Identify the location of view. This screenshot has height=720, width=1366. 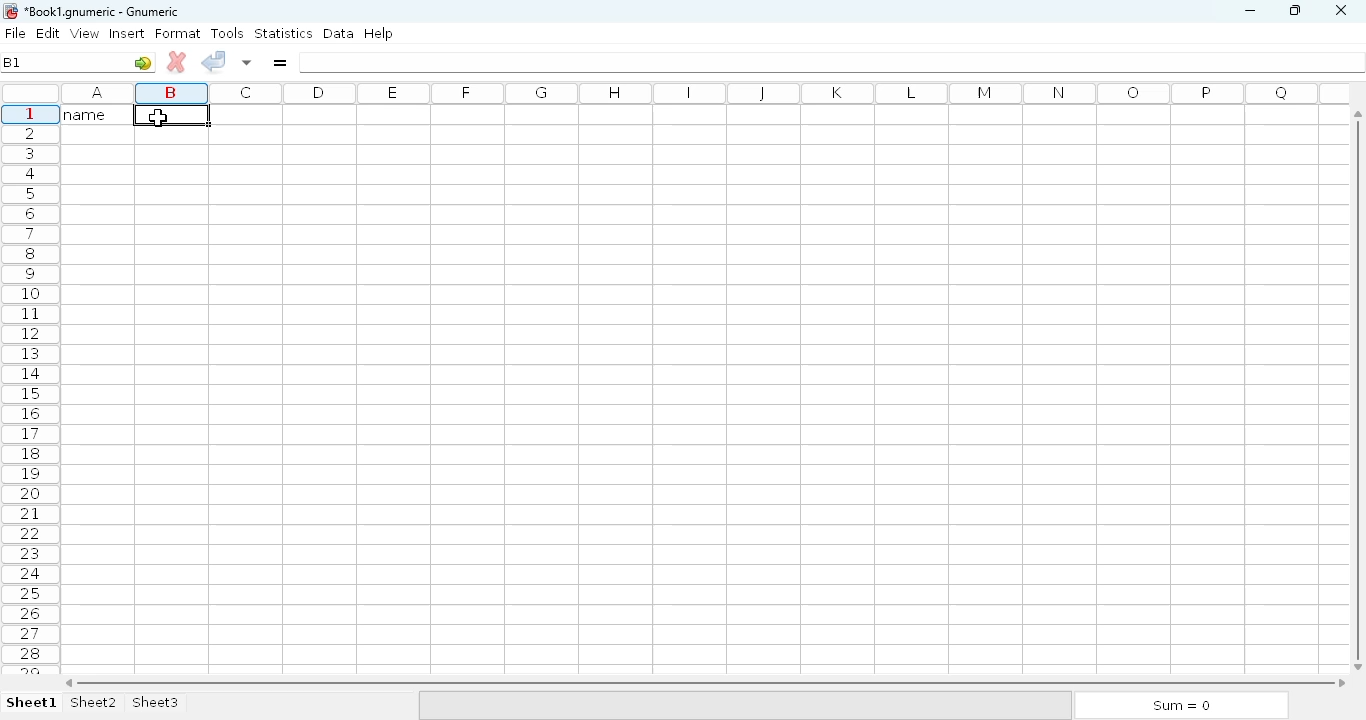
(85, 33).